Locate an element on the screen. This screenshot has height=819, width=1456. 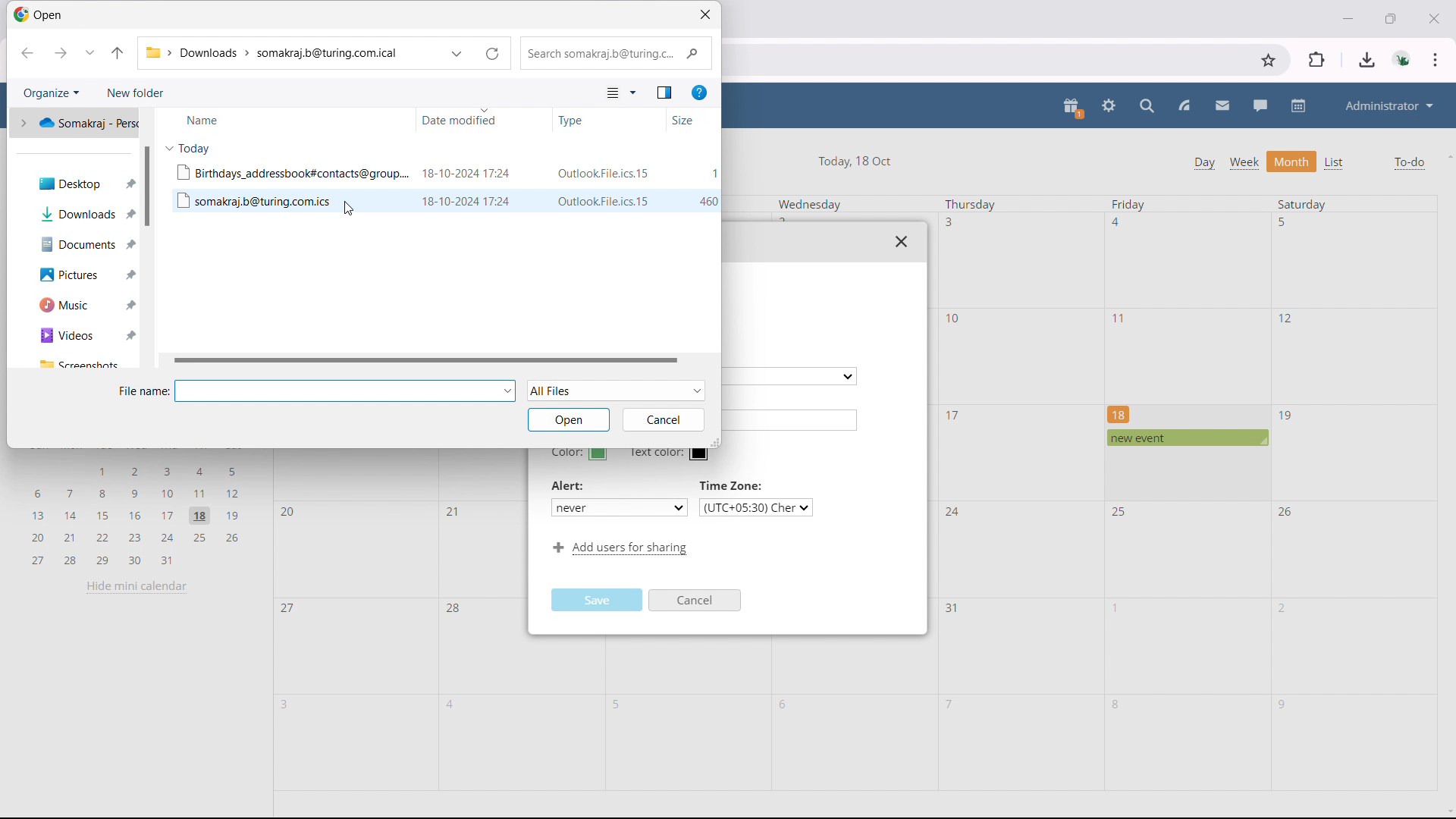
8 is located at coordinates (1117, 704).